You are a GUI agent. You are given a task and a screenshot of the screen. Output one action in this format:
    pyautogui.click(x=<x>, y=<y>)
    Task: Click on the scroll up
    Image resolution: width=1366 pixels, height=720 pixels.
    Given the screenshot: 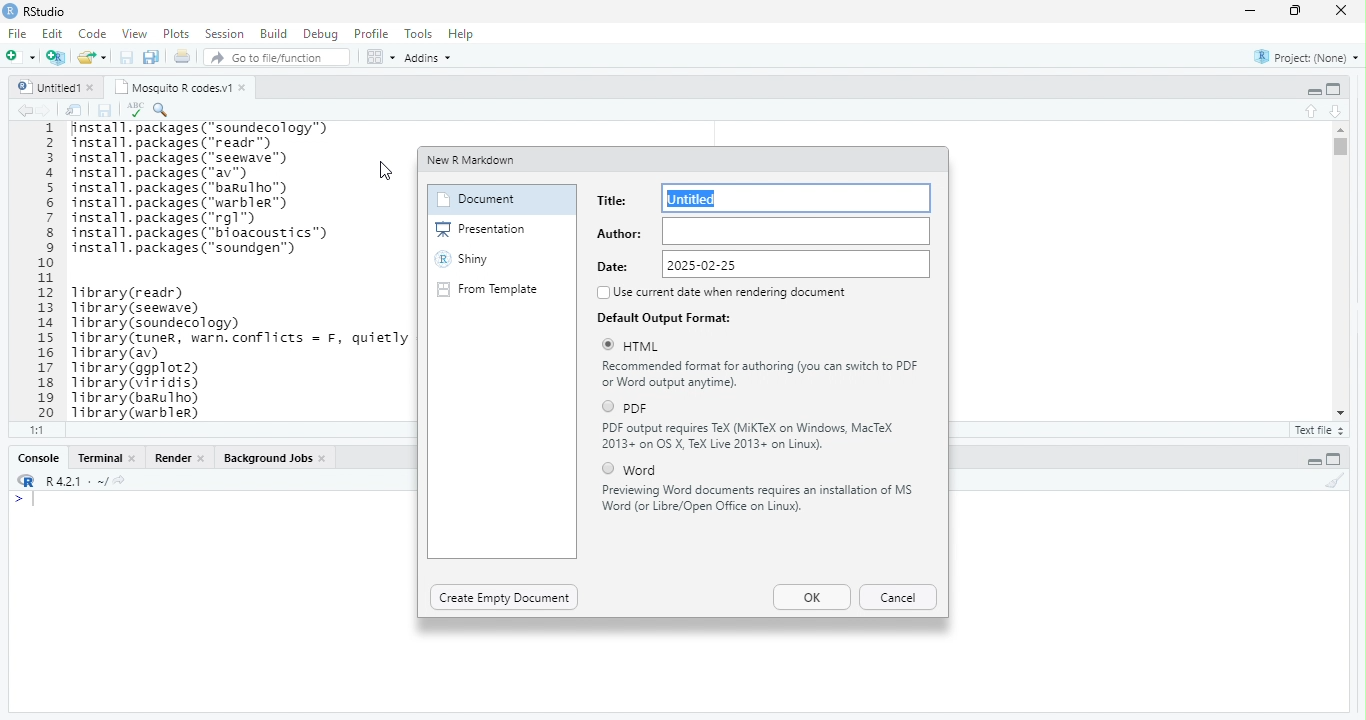 What is the action you would take?
    pyautogui.click(x=1342, y=130)
    